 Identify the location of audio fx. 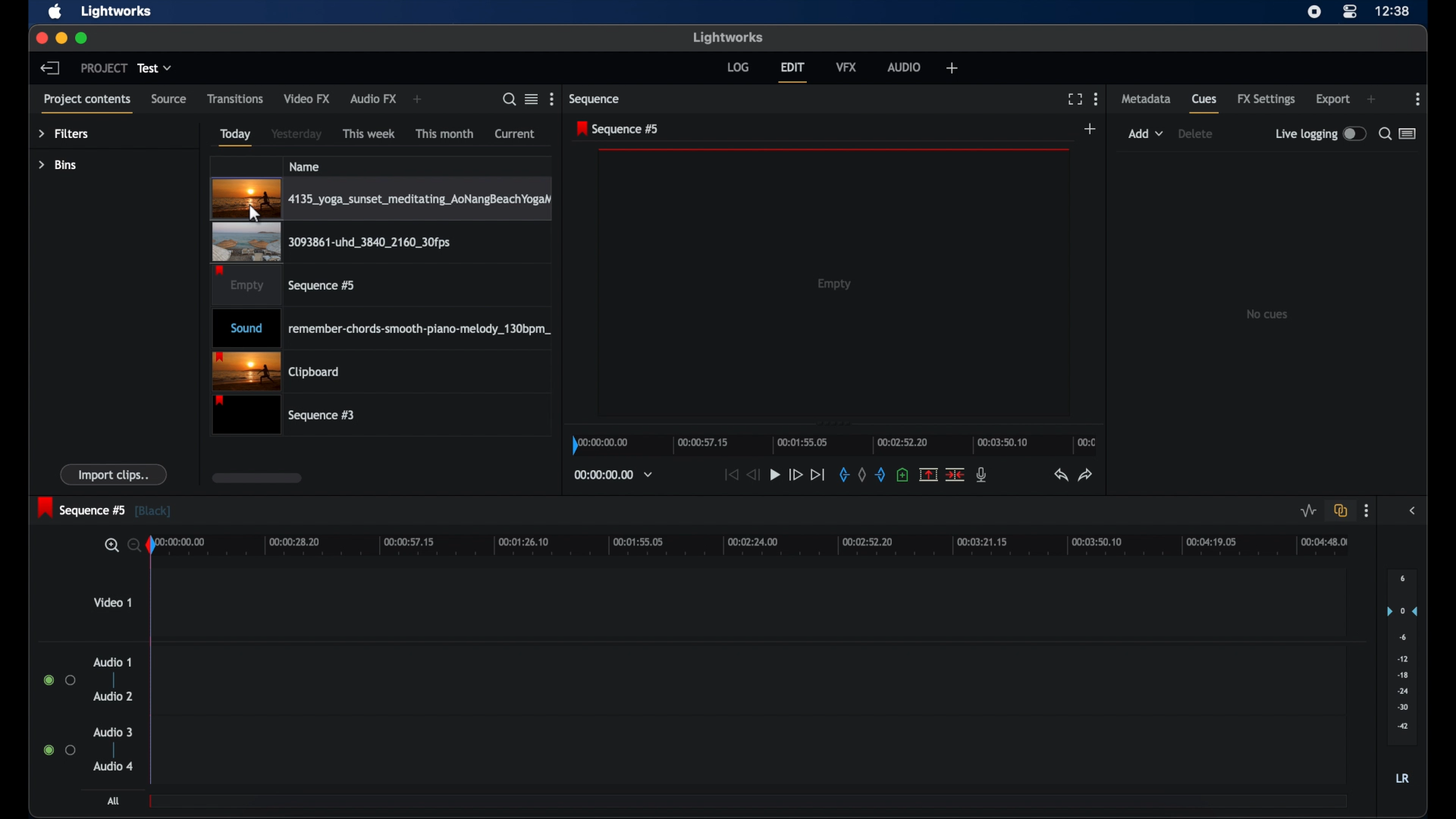
(374, 99).